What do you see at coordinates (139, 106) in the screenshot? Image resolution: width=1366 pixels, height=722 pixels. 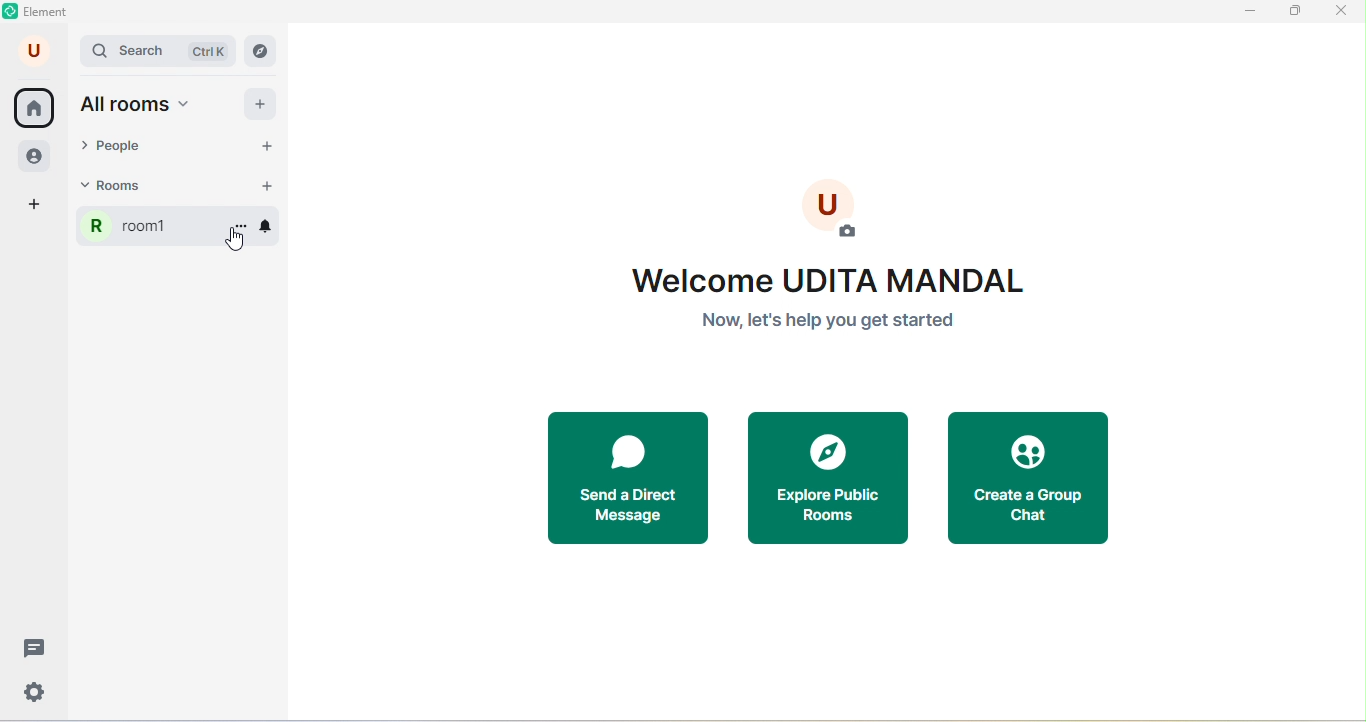 I see `all rooms` at bounding box center [139, 106].